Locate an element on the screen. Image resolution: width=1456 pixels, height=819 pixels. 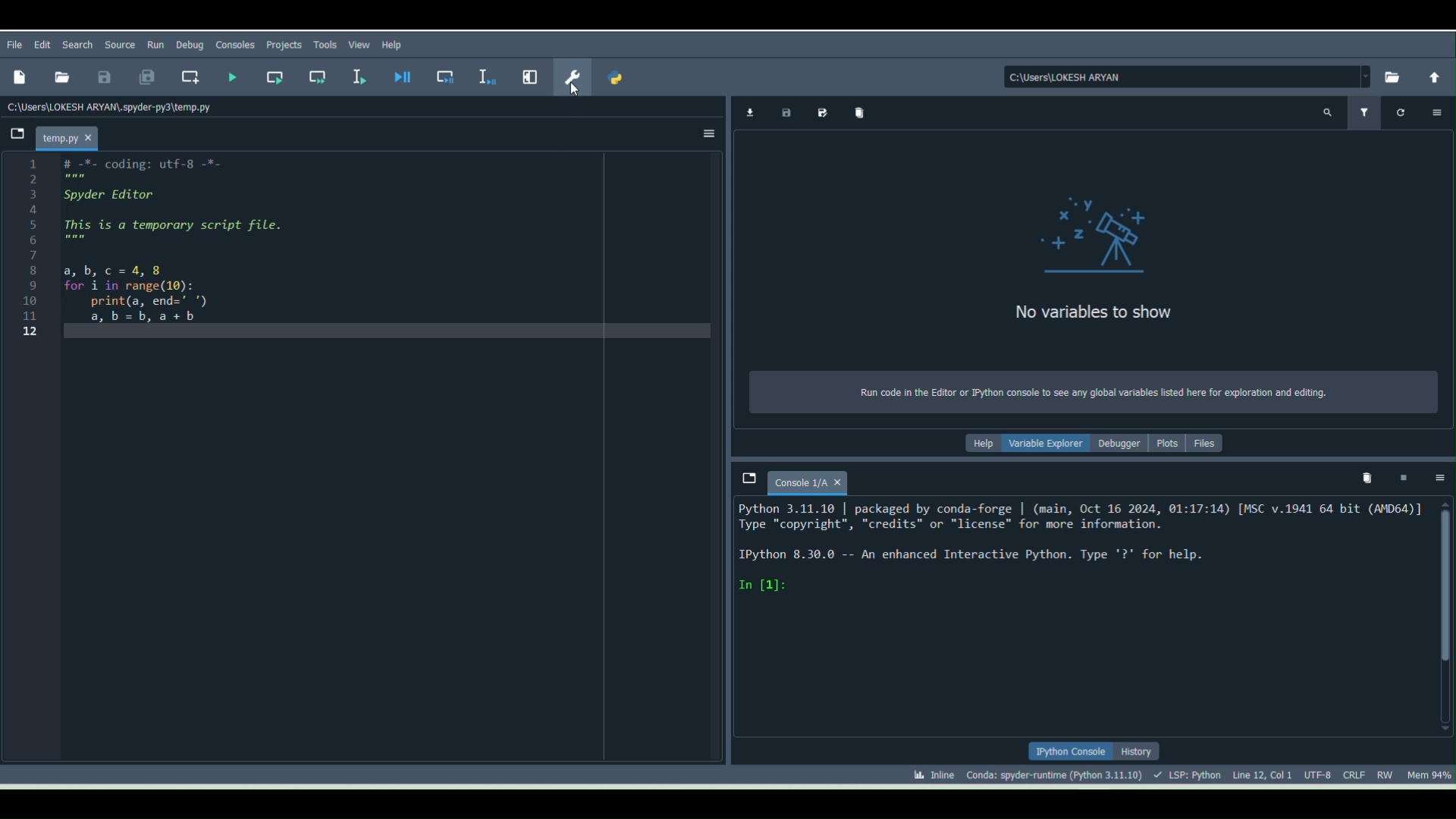
Remove all variables from namespace is located at coordinates (1370, 475).